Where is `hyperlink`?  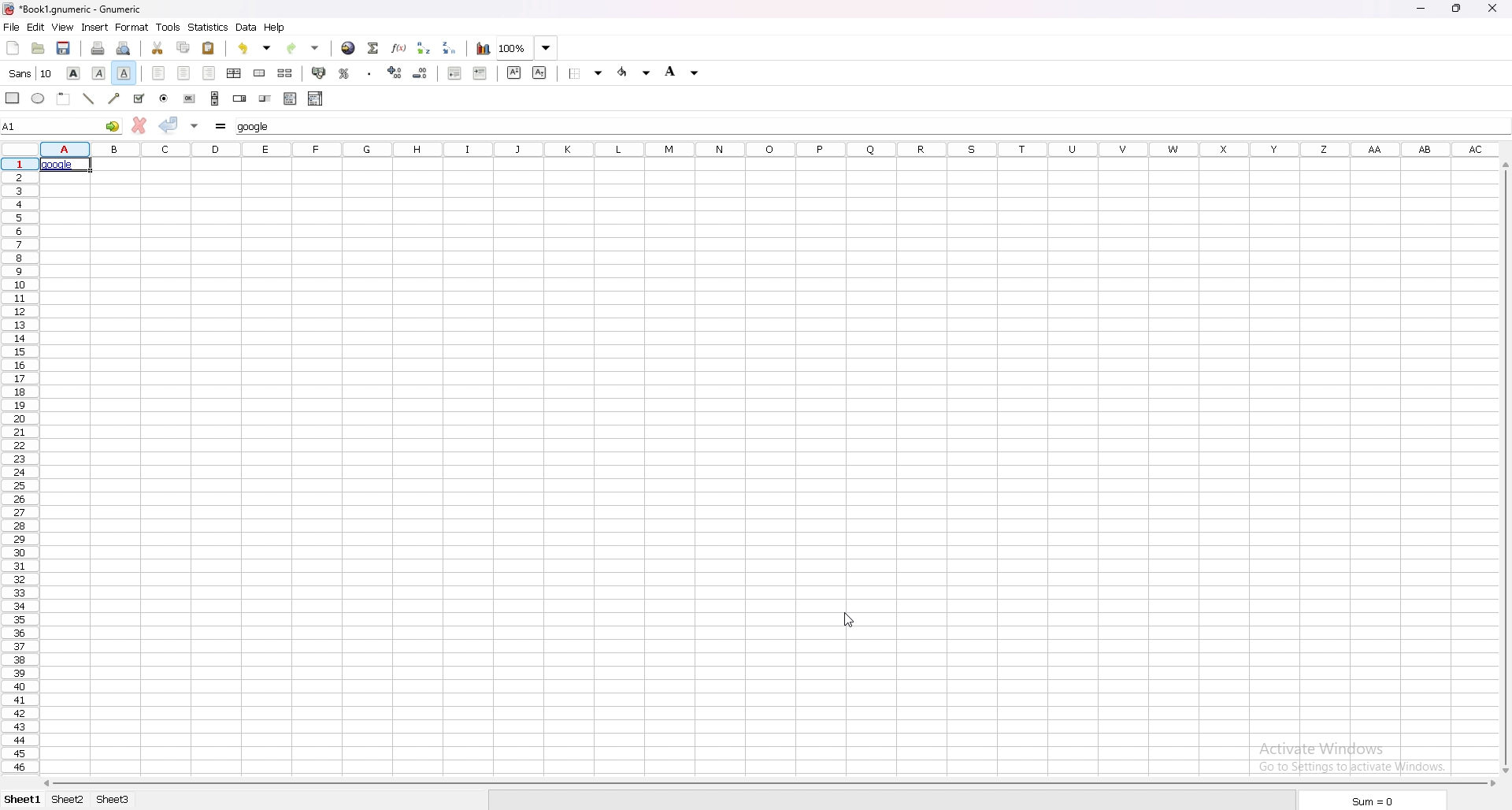
hyperlink is located at coordinates (57, 165).